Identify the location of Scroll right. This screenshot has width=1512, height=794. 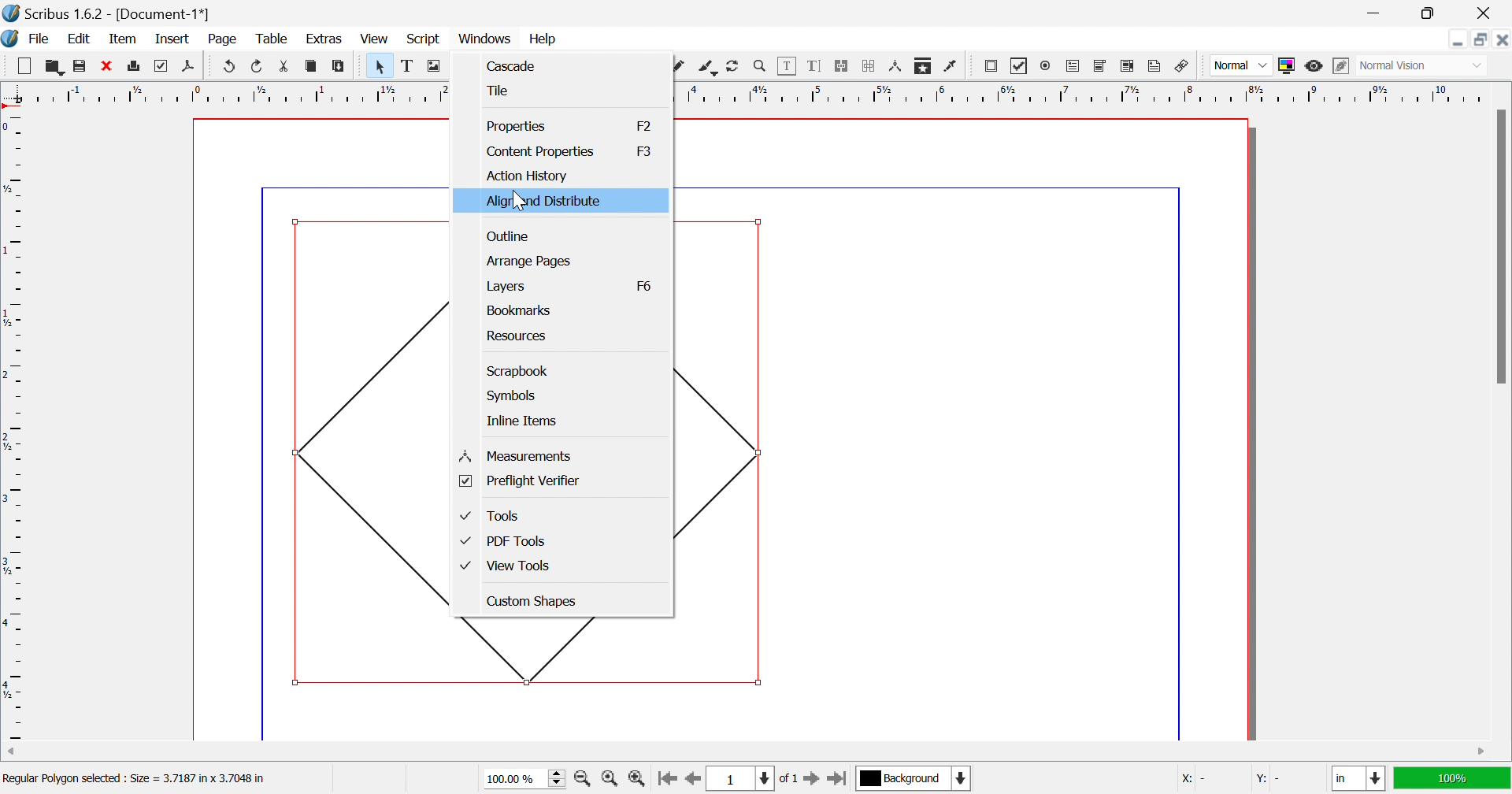
(1483, 752).